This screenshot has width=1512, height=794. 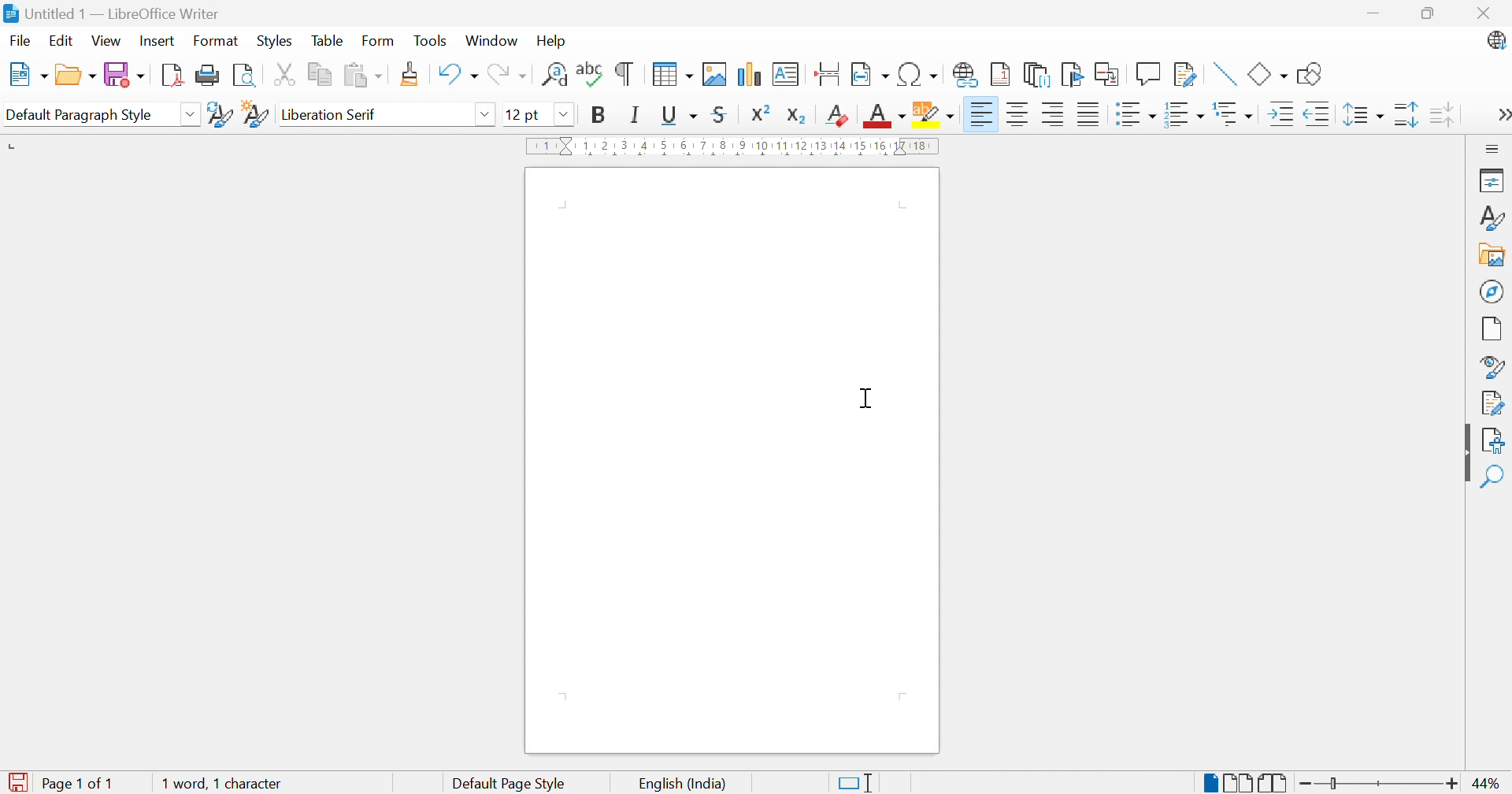 What do you see at coordinates (870, 76) in the screenshot?
I see `Insert field` at bounding box center [870, 76].